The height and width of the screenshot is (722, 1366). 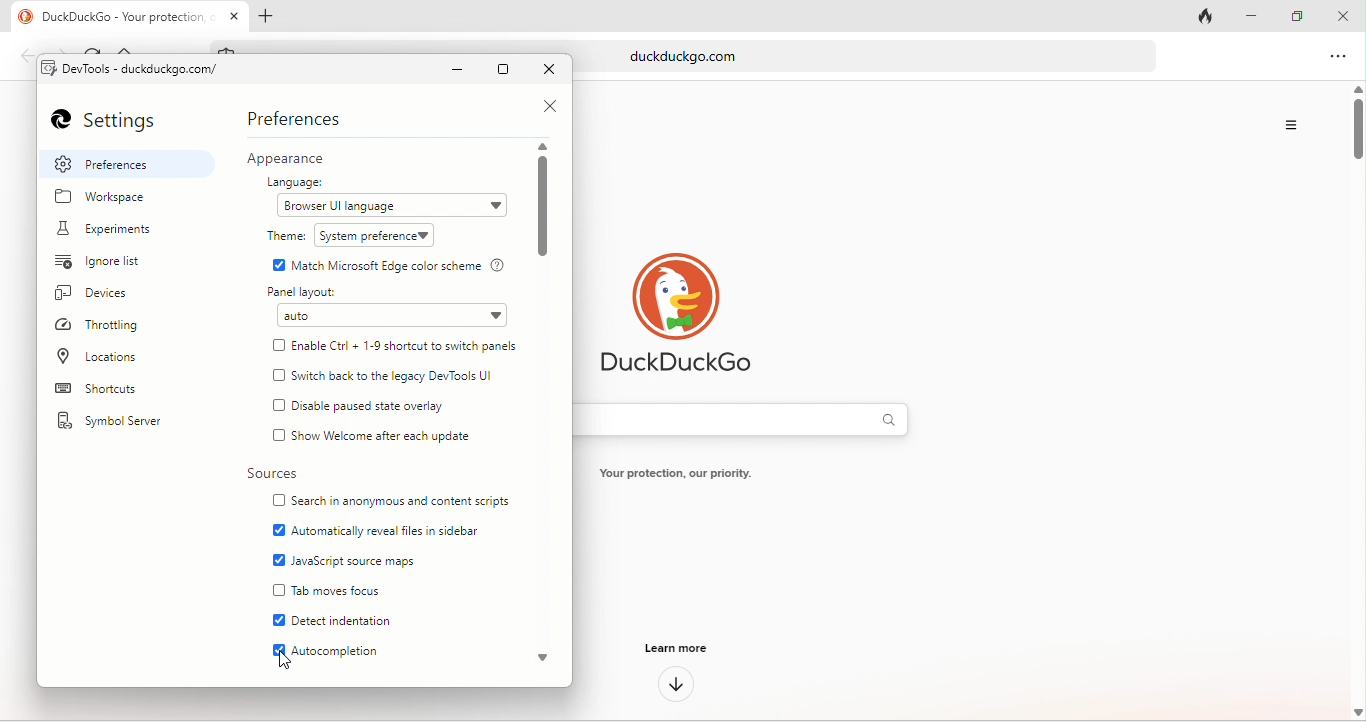 I want to click on checkbox, so click(x=279, y=502).